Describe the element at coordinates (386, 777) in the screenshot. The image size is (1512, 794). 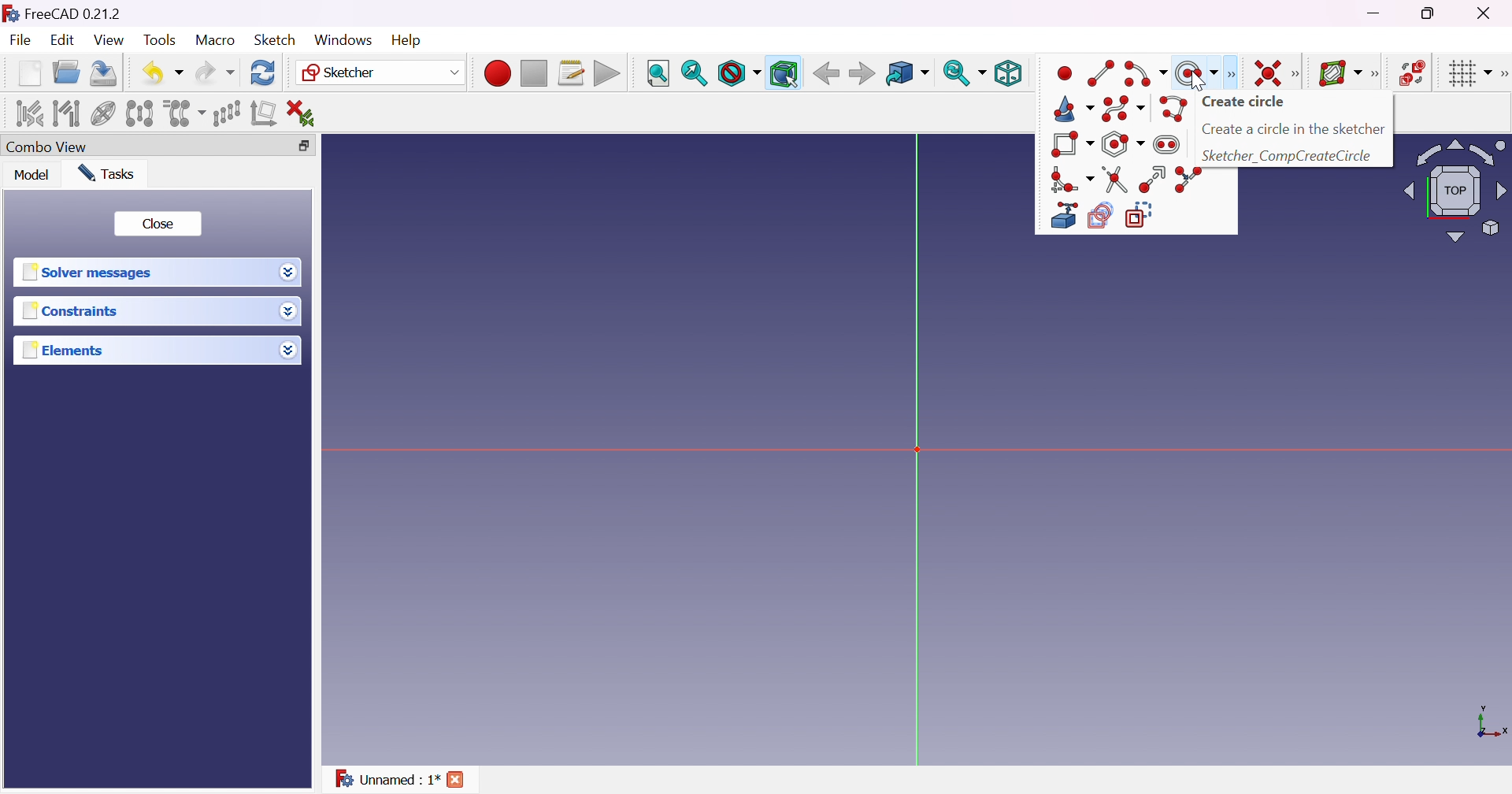
I see `Unnamed : 1*` at that location.